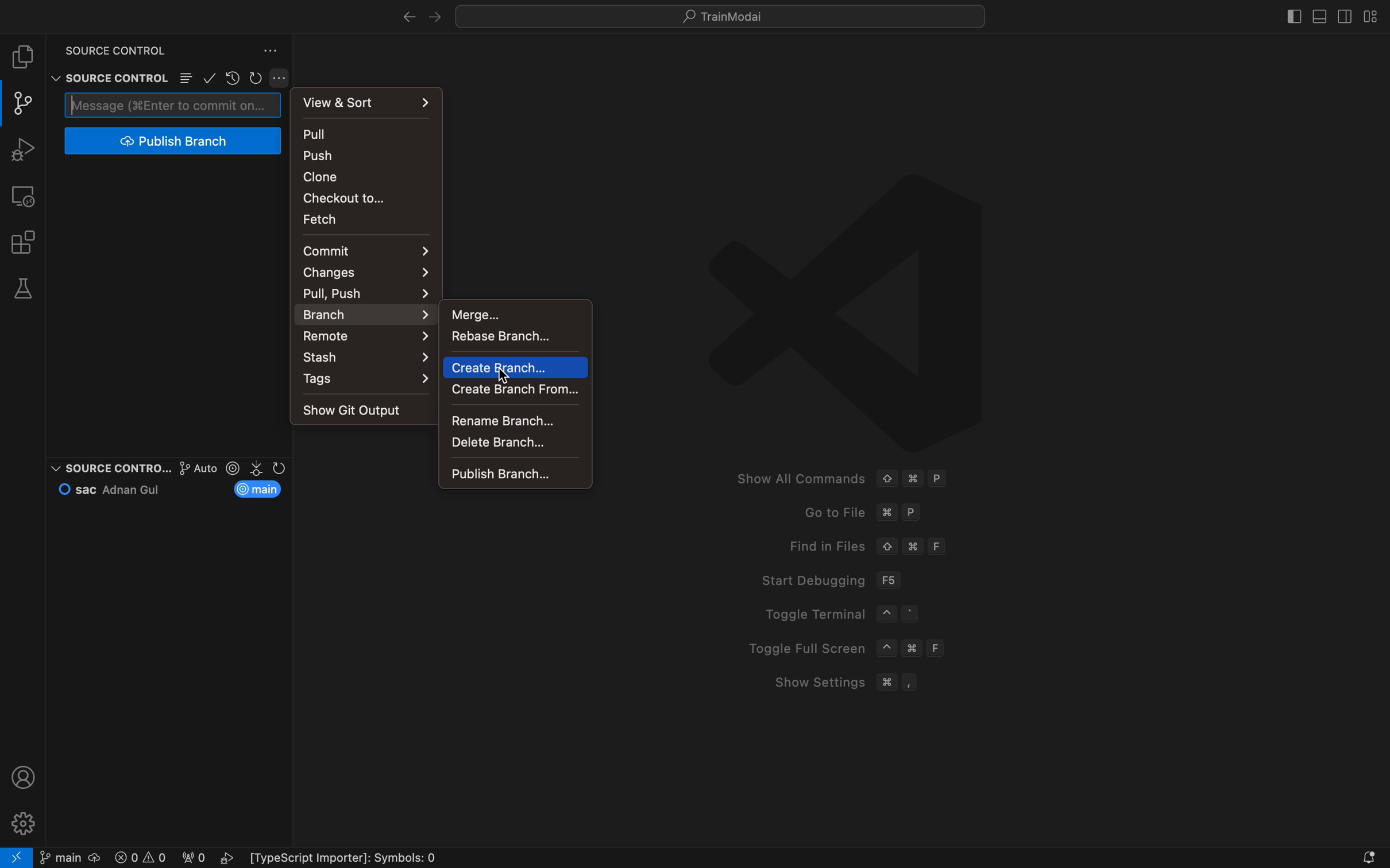 Image resolution: width=1390 pixels, height=868 pixels. I want to click on source, so click(99, 465).